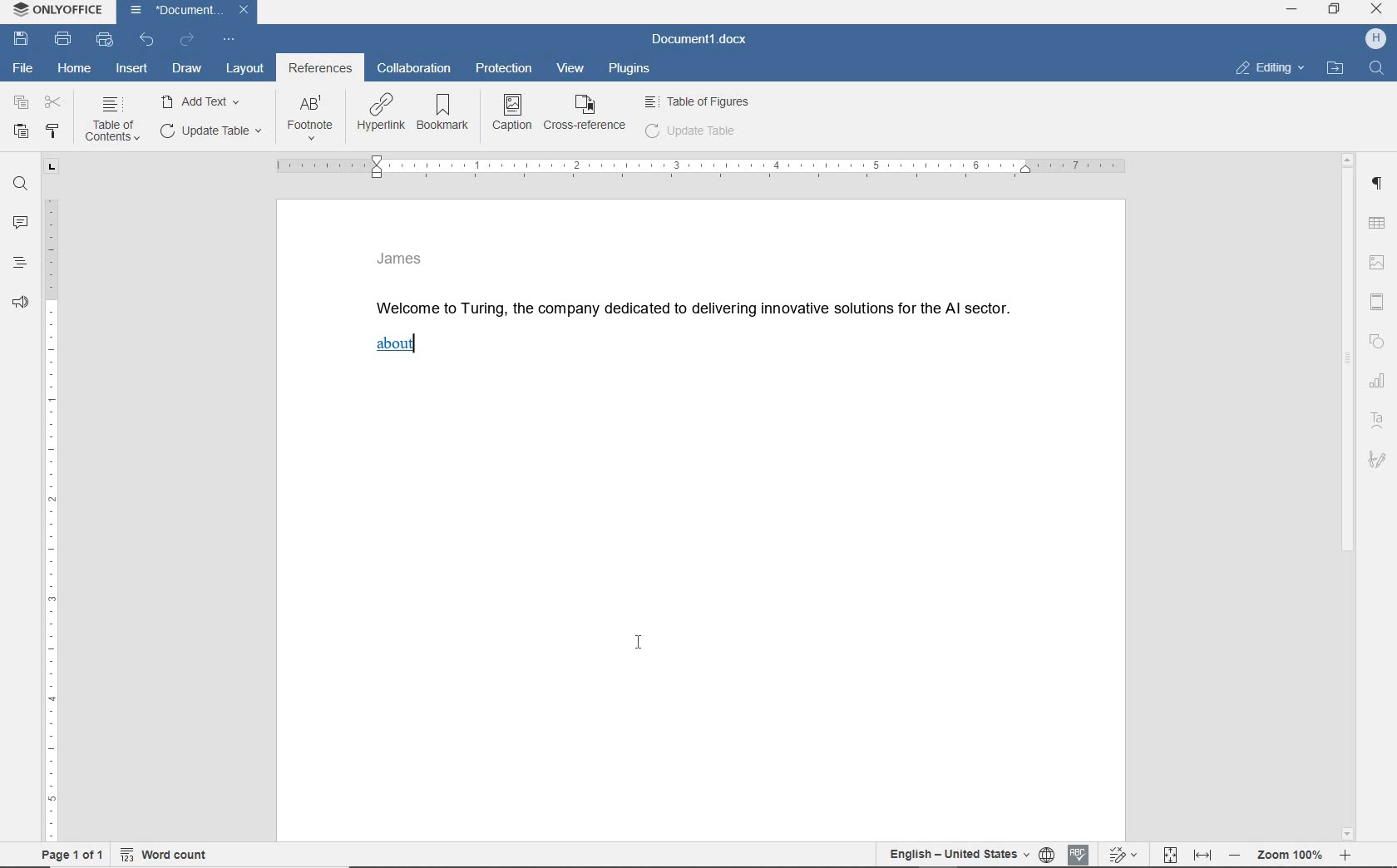  I want to click on header & footer, so click(1376, 300).